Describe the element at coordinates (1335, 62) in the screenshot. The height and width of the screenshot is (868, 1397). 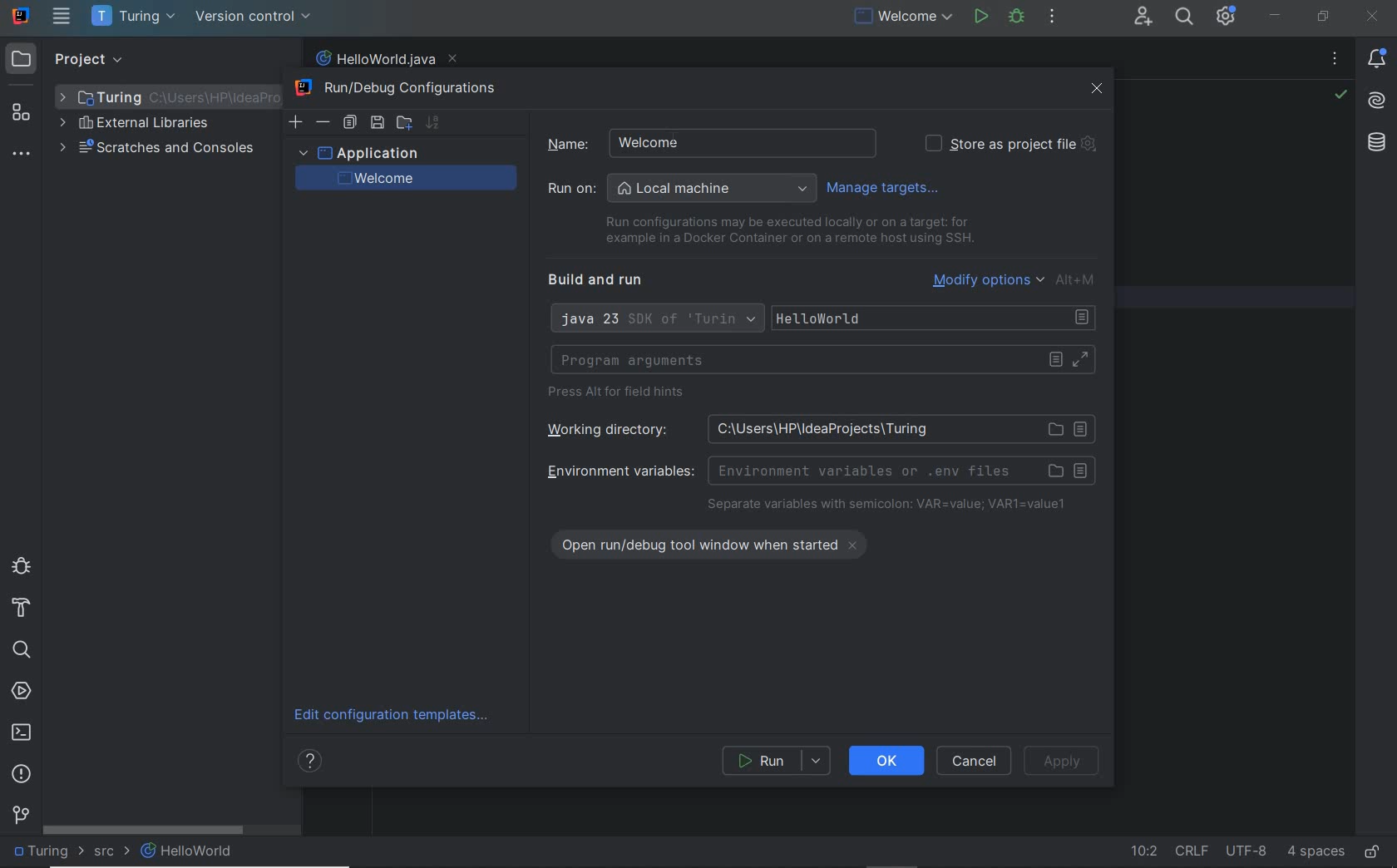
I see `recent files, tab actions` at that location.